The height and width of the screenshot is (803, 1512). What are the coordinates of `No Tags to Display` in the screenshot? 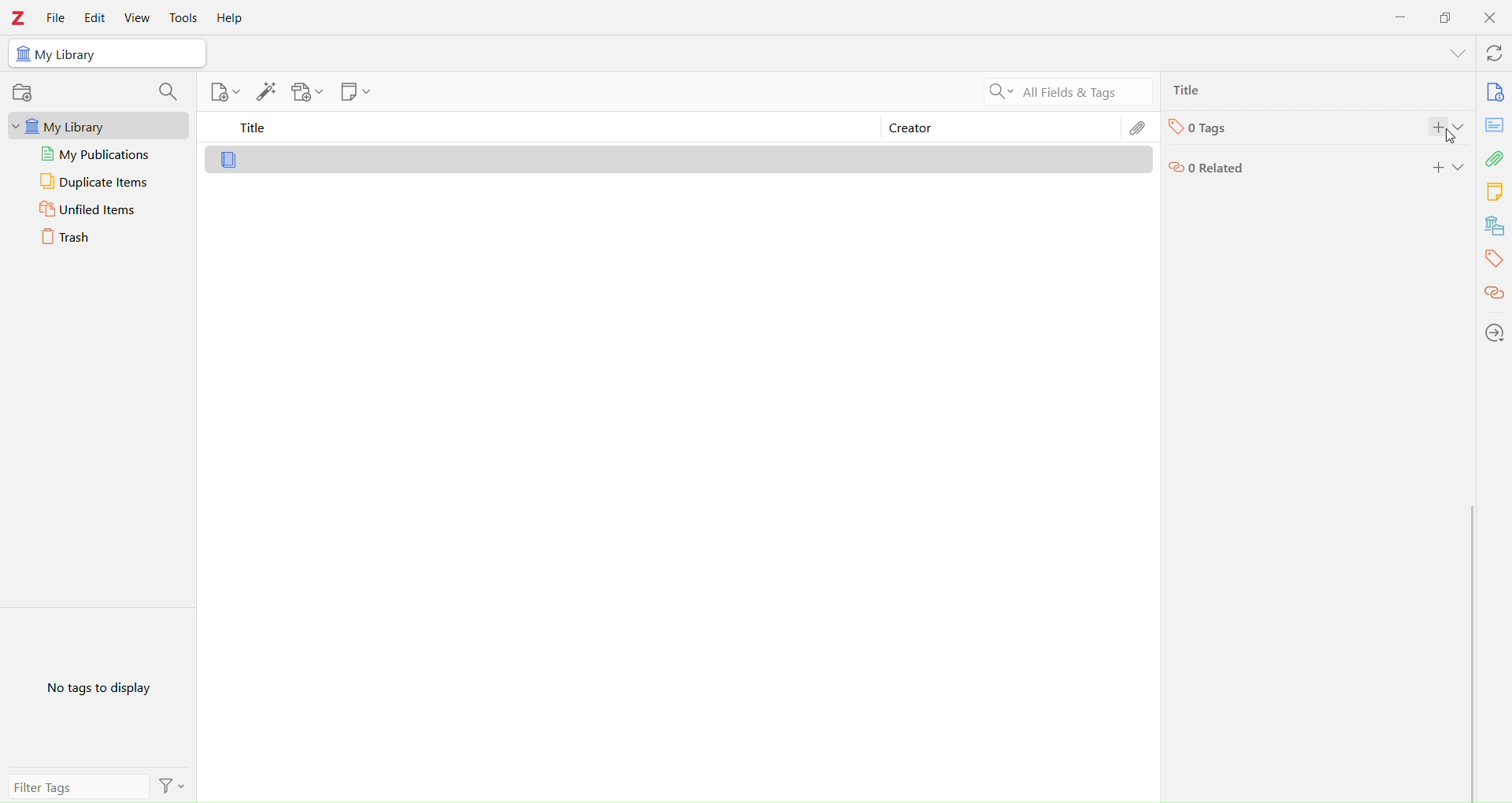 It's located at (106, 689).